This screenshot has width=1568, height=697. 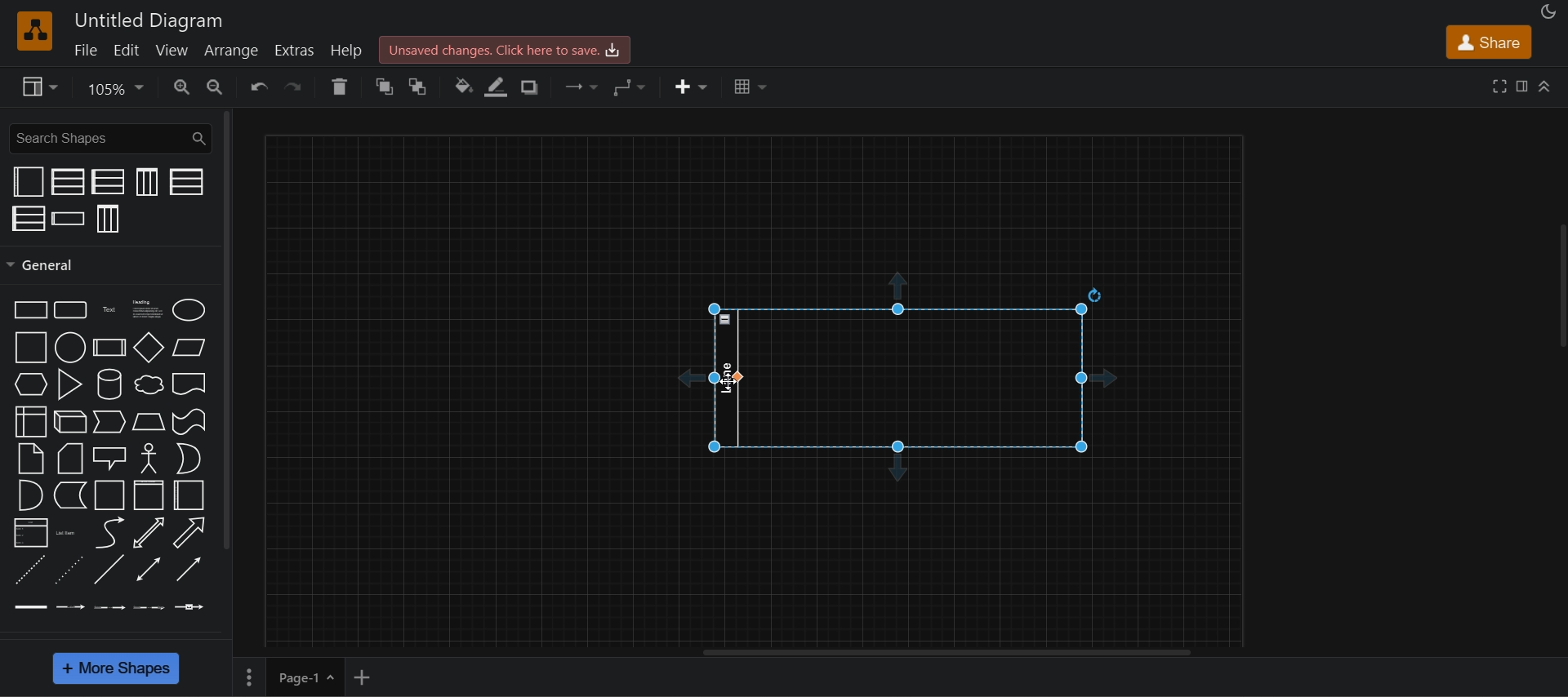 I want to click on view, so click(x=36, y=87).